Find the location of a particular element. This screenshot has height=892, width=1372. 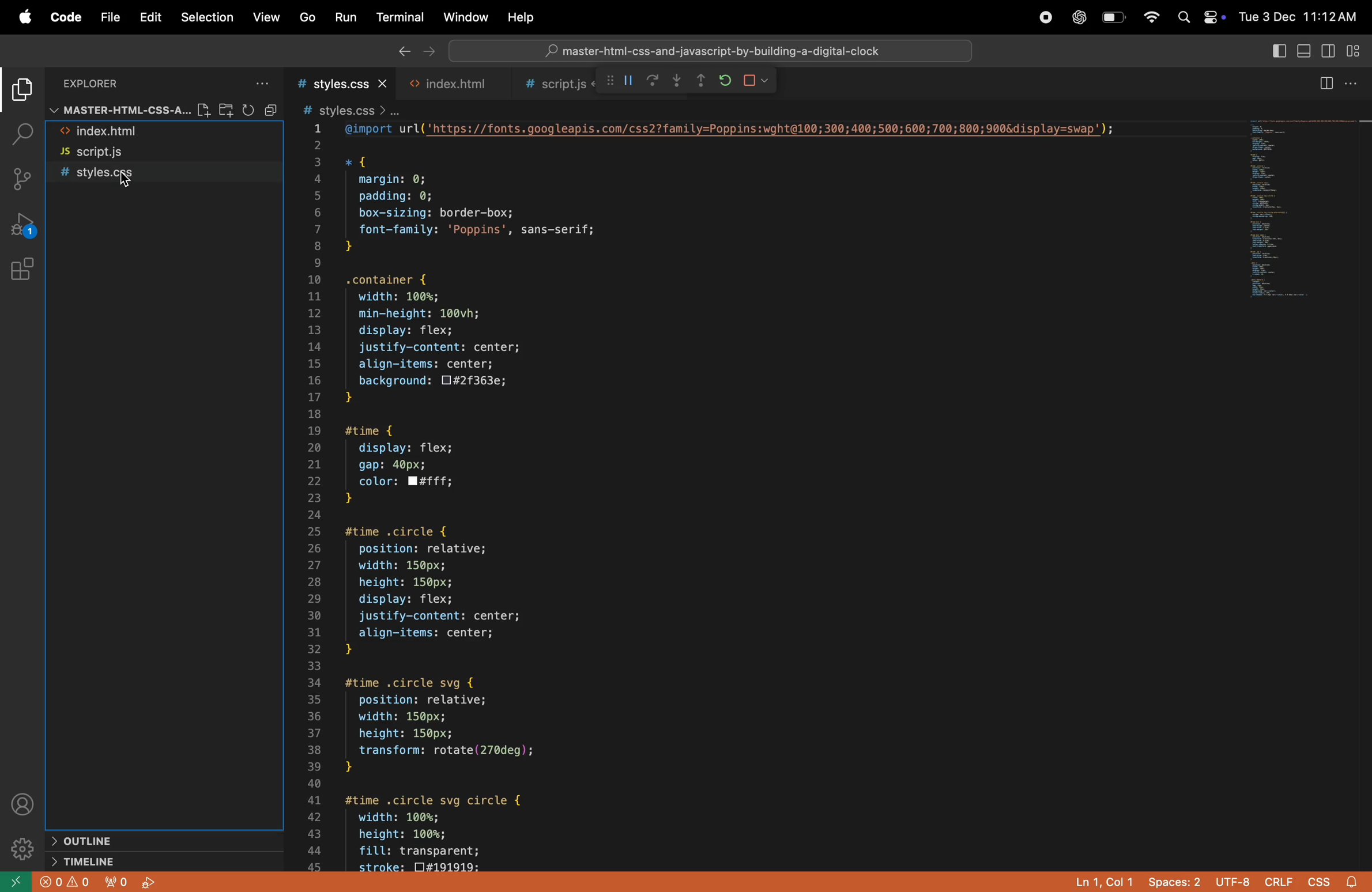

time line is located at coordinates (85, 862).